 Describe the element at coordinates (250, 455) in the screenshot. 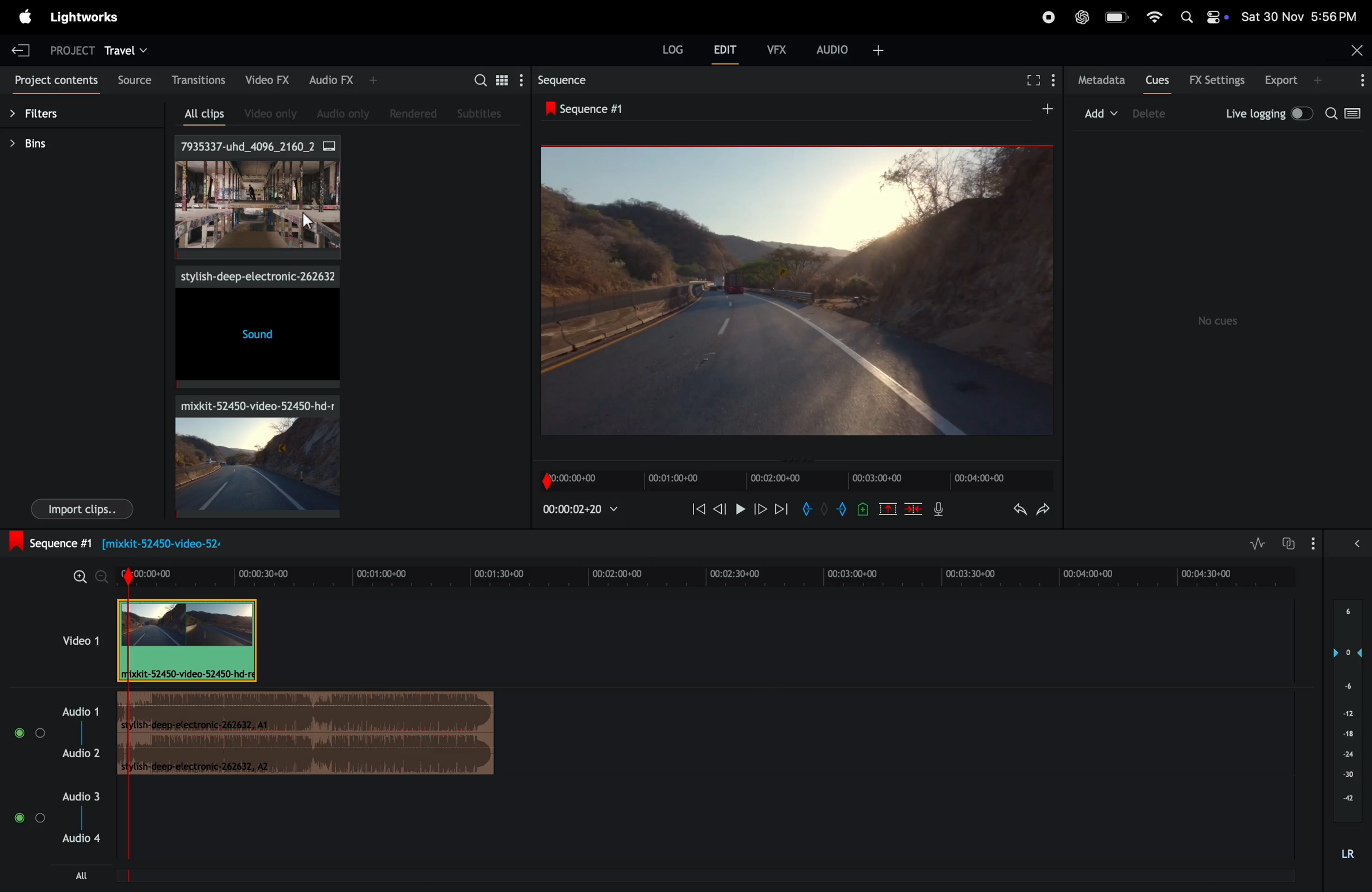

I see `video clip` at that location.